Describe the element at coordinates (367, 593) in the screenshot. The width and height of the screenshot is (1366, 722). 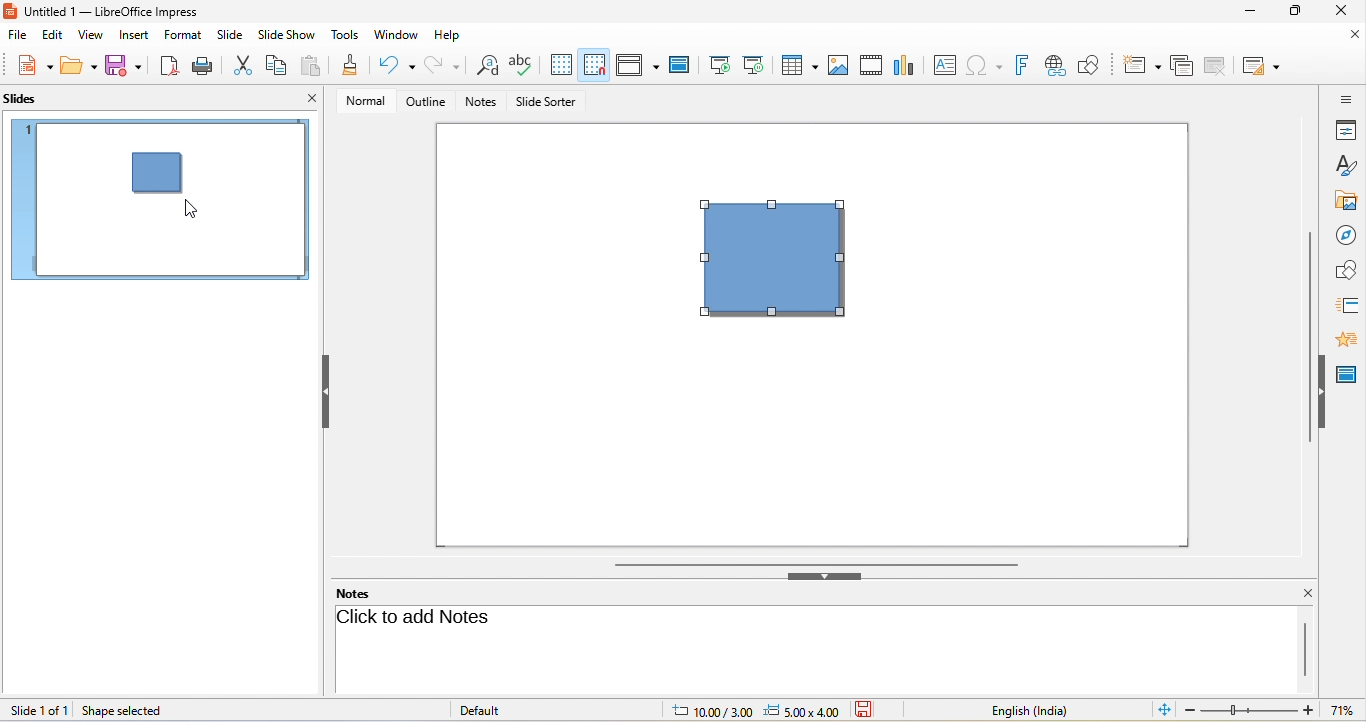
I see `Notes` at that location.